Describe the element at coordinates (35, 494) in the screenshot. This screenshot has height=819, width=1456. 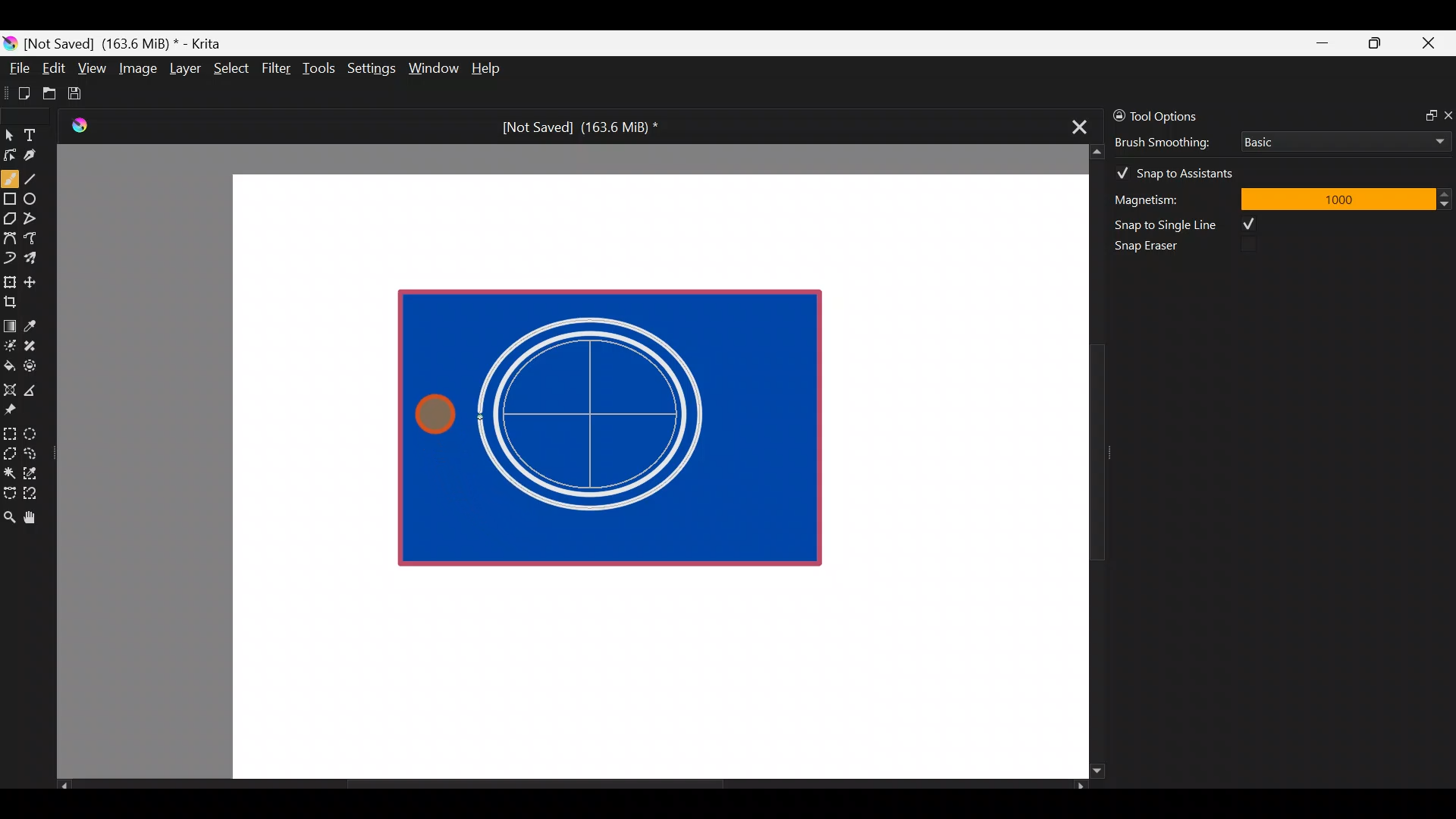
I see `Magnetic curve selection tool` at that location.